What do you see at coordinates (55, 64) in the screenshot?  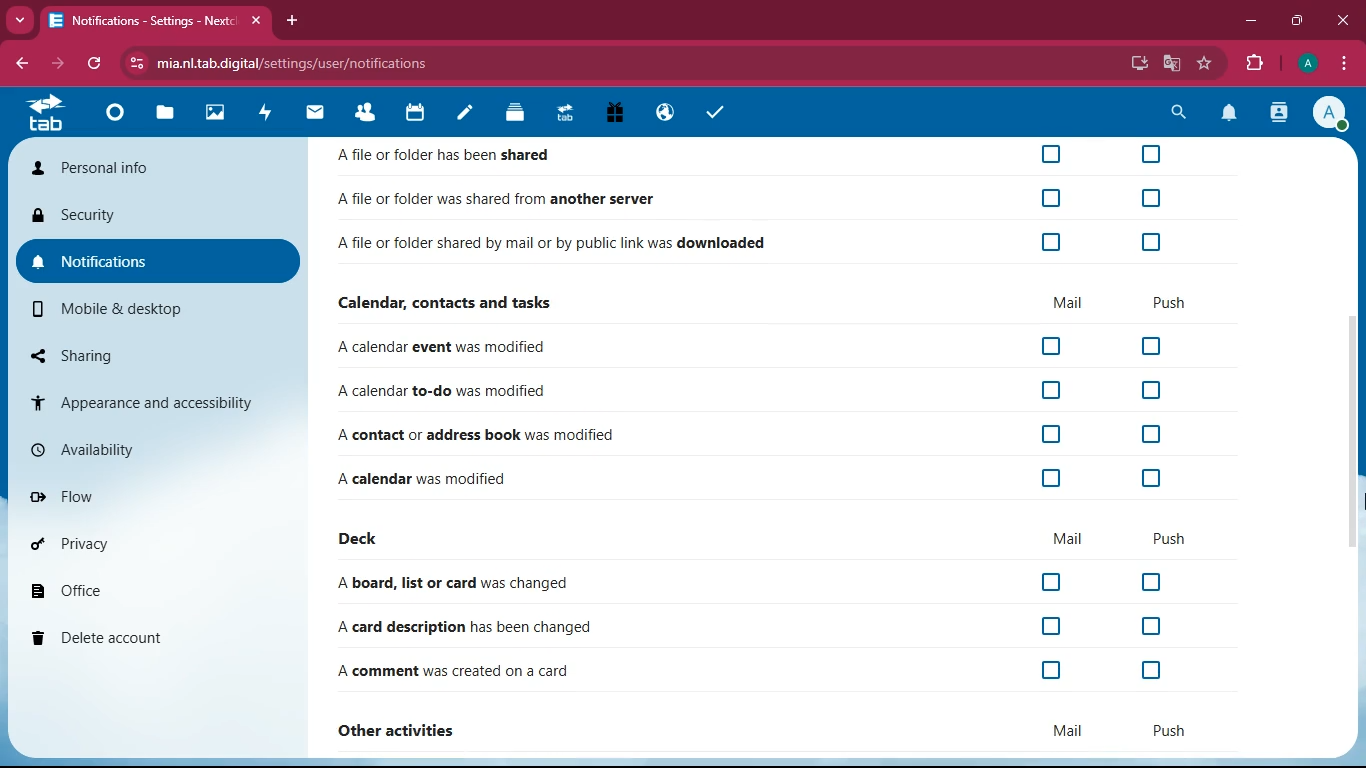 I see `forward` at bounding box center [55, 64].